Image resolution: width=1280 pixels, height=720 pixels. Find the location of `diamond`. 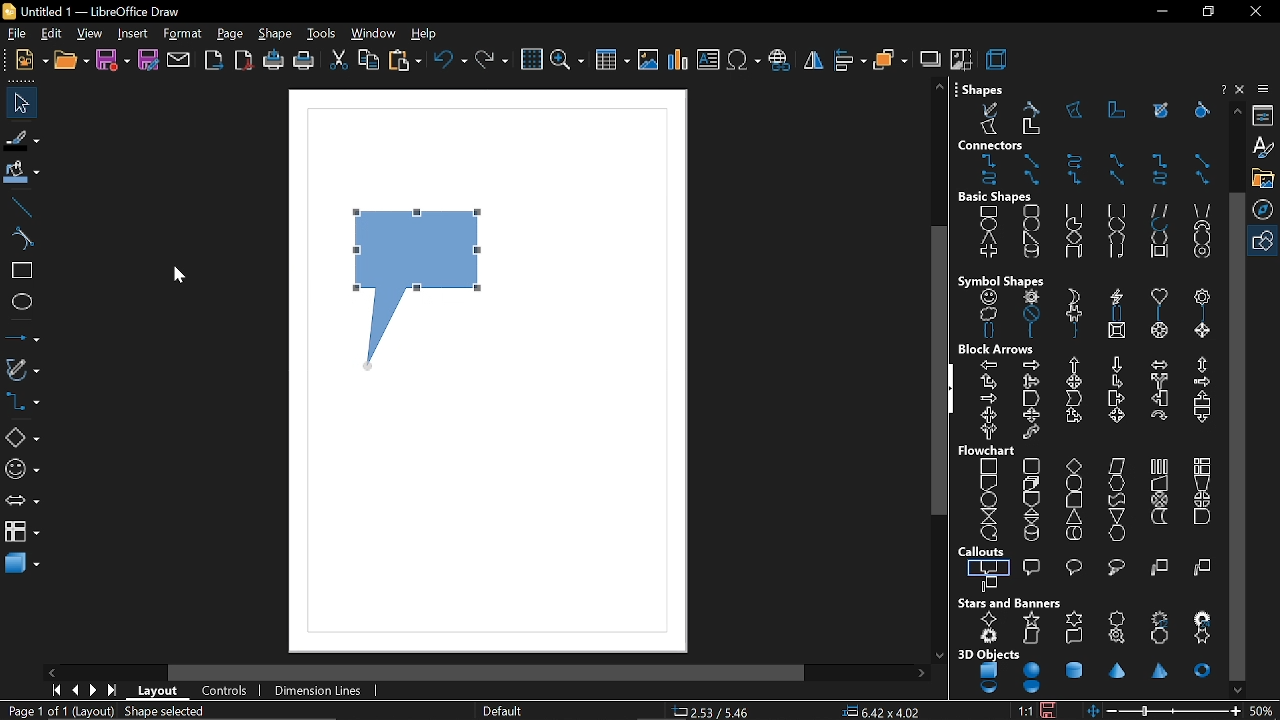

diamond is located at coordinates (1076, 238).